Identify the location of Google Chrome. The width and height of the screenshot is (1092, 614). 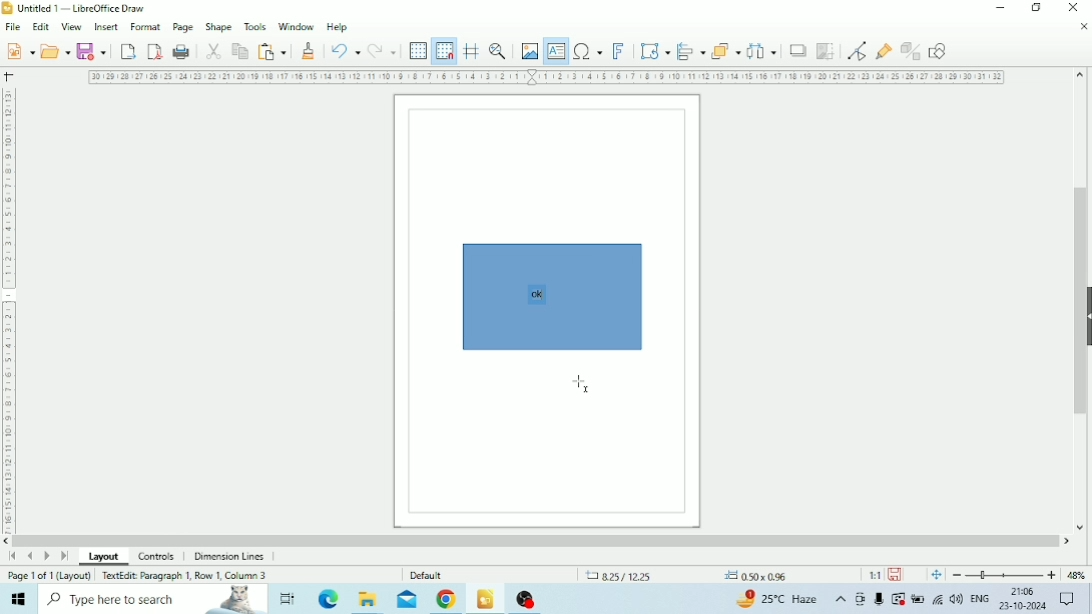
(447, 599).